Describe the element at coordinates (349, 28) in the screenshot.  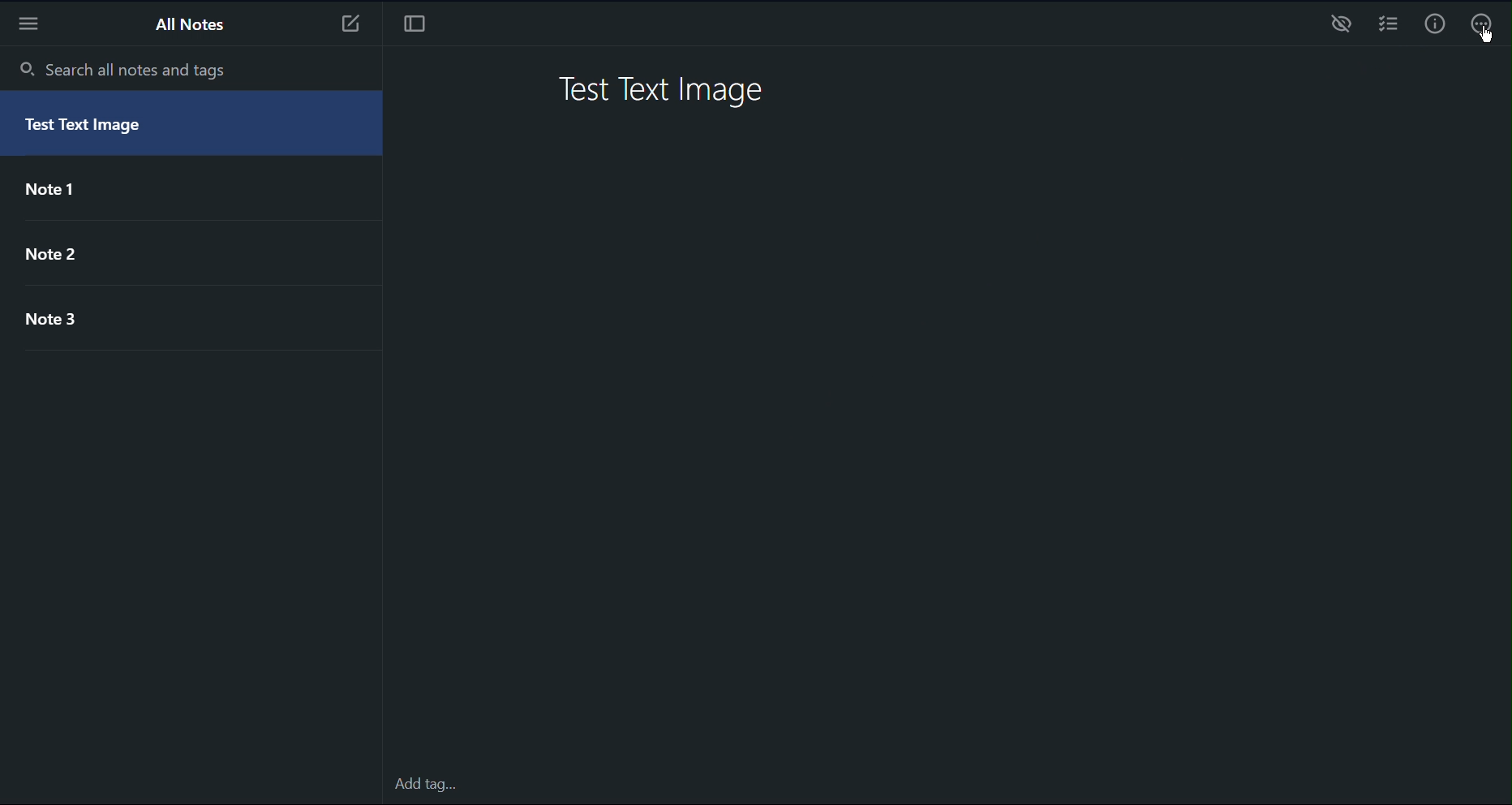
I see `New Note` at that location.